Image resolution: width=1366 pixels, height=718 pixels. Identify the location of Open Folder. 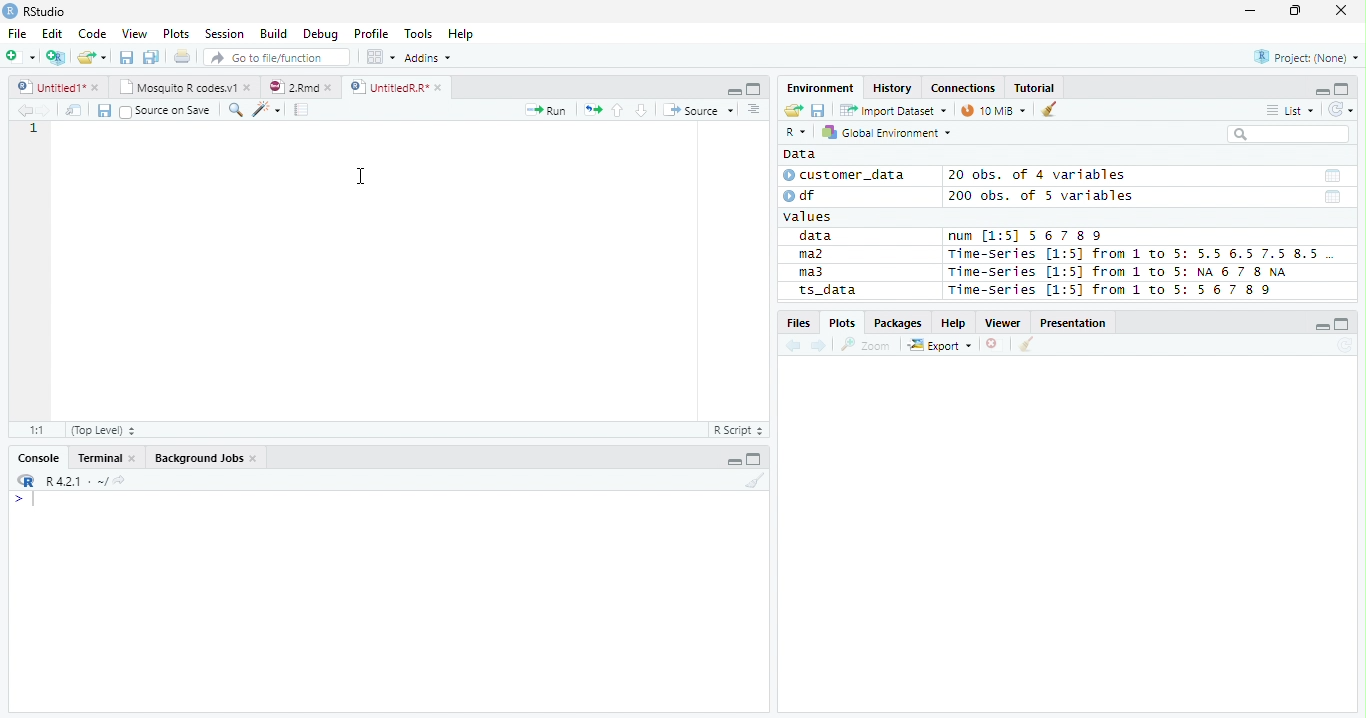
(93, 56).